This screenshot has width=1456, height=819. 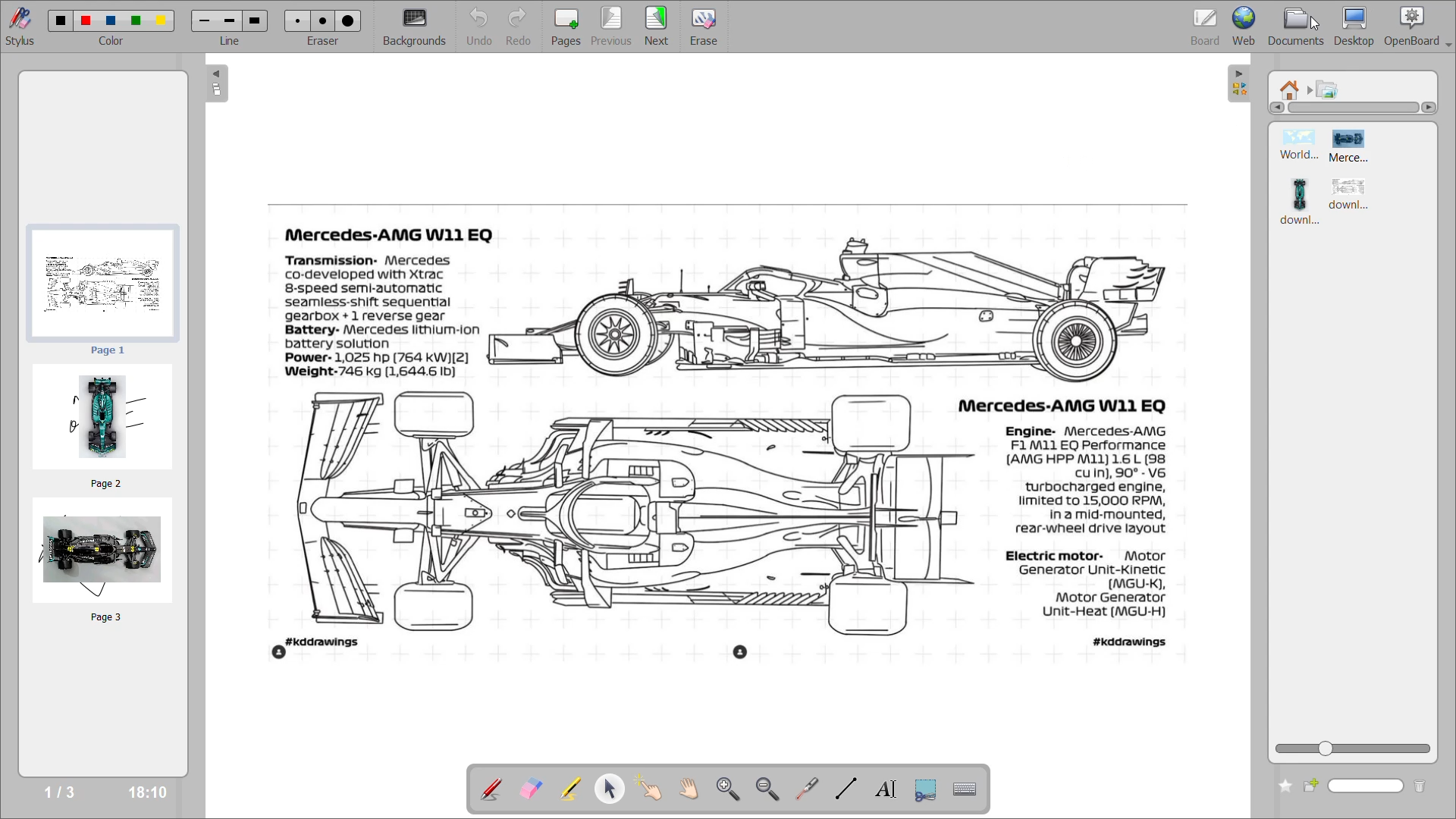 I want to click on page 1 preview, so click(x=104, y=290).